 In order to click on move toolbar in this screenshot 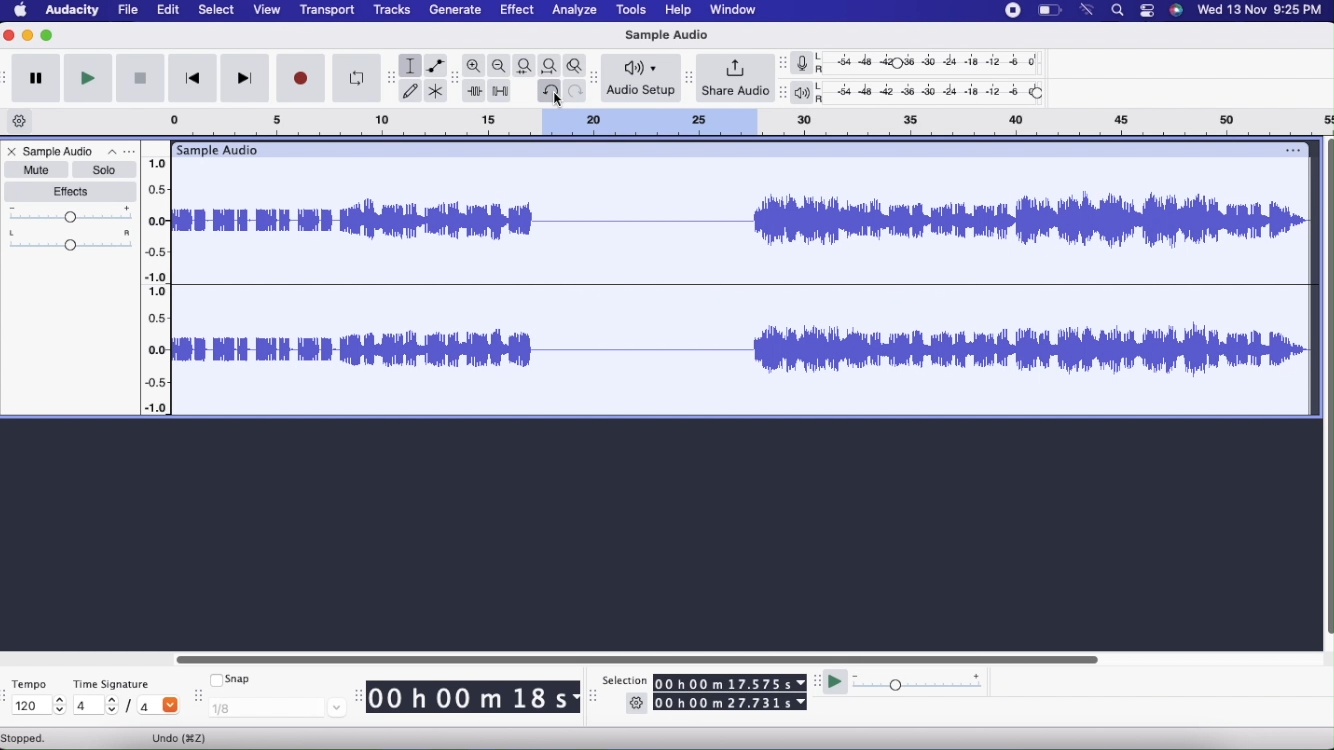, I will do `click(452, 77)`.